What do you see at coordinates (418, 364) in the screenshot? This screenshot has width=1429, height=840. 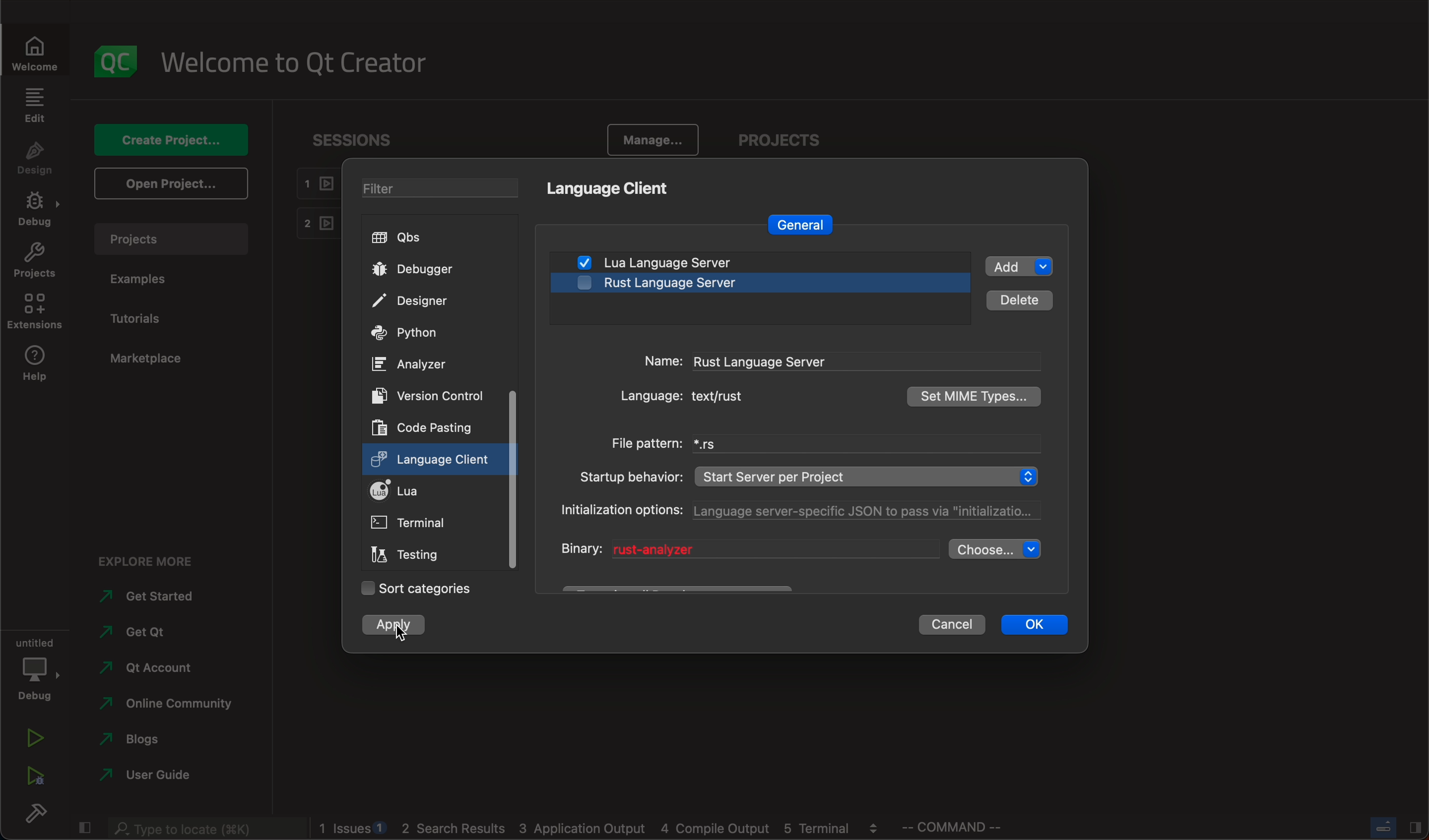 I see `ANALYZER` at bounding box center [418, 364].